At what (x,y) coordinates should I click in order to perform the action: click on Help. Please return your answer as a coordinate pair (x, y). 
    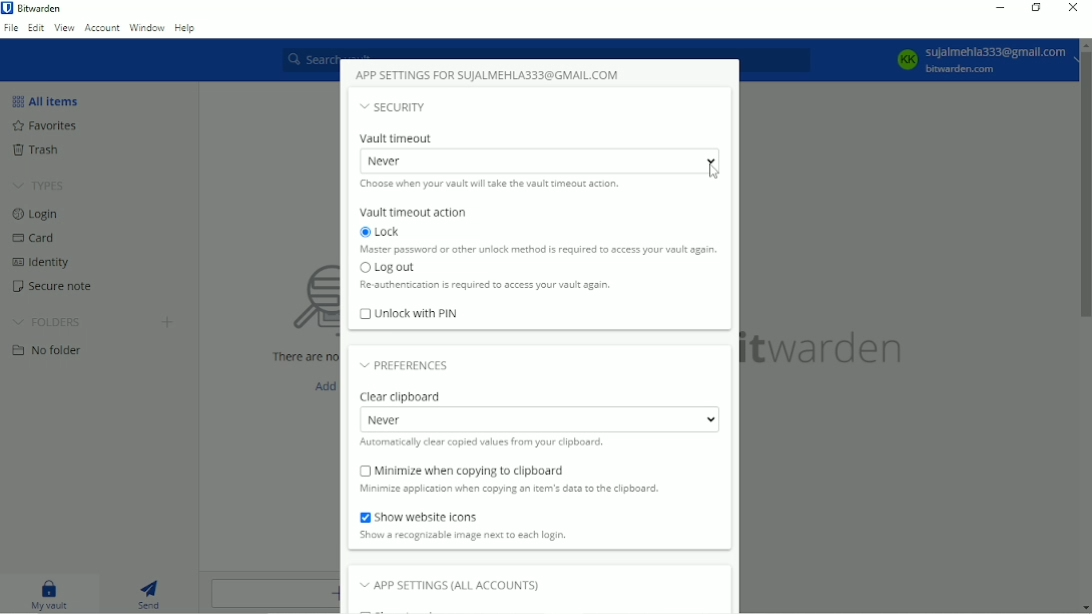
    Looking at the image, I should click on (186, 27).